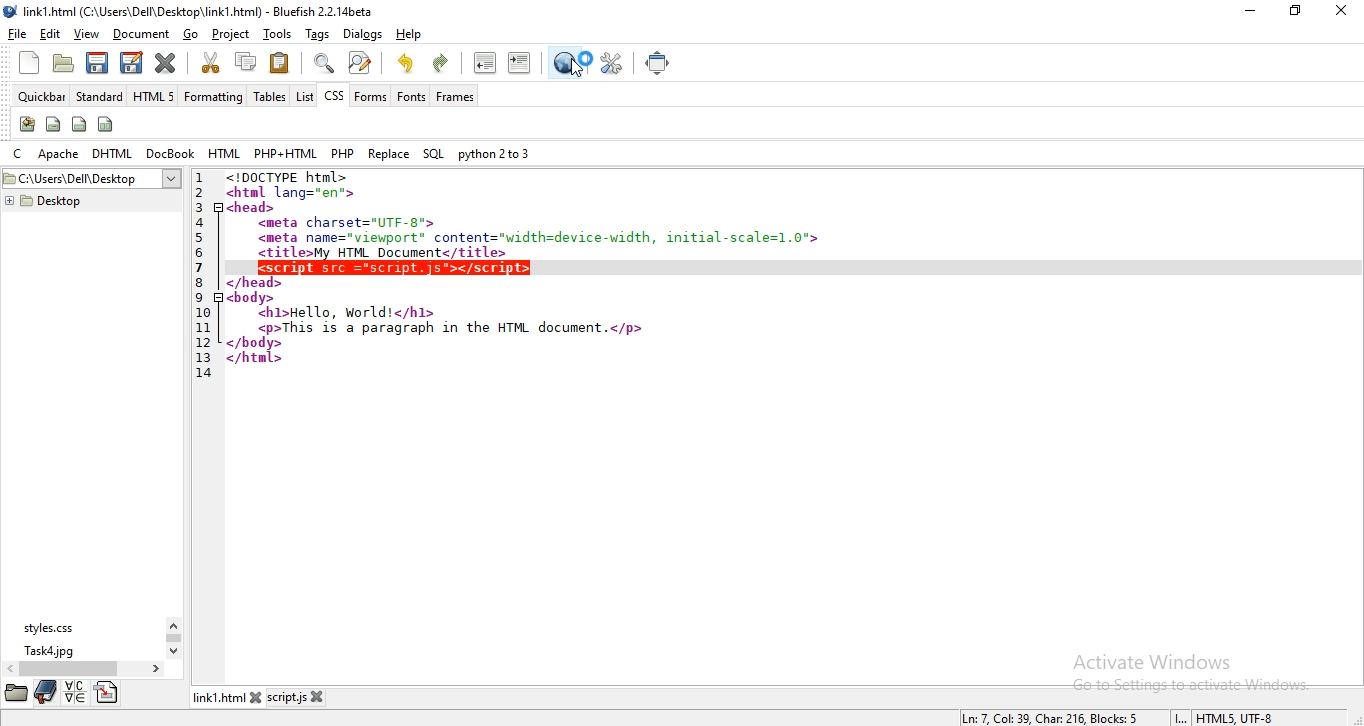 The image size is (1364, 726). I want to click on code fold, so click(220, 298).